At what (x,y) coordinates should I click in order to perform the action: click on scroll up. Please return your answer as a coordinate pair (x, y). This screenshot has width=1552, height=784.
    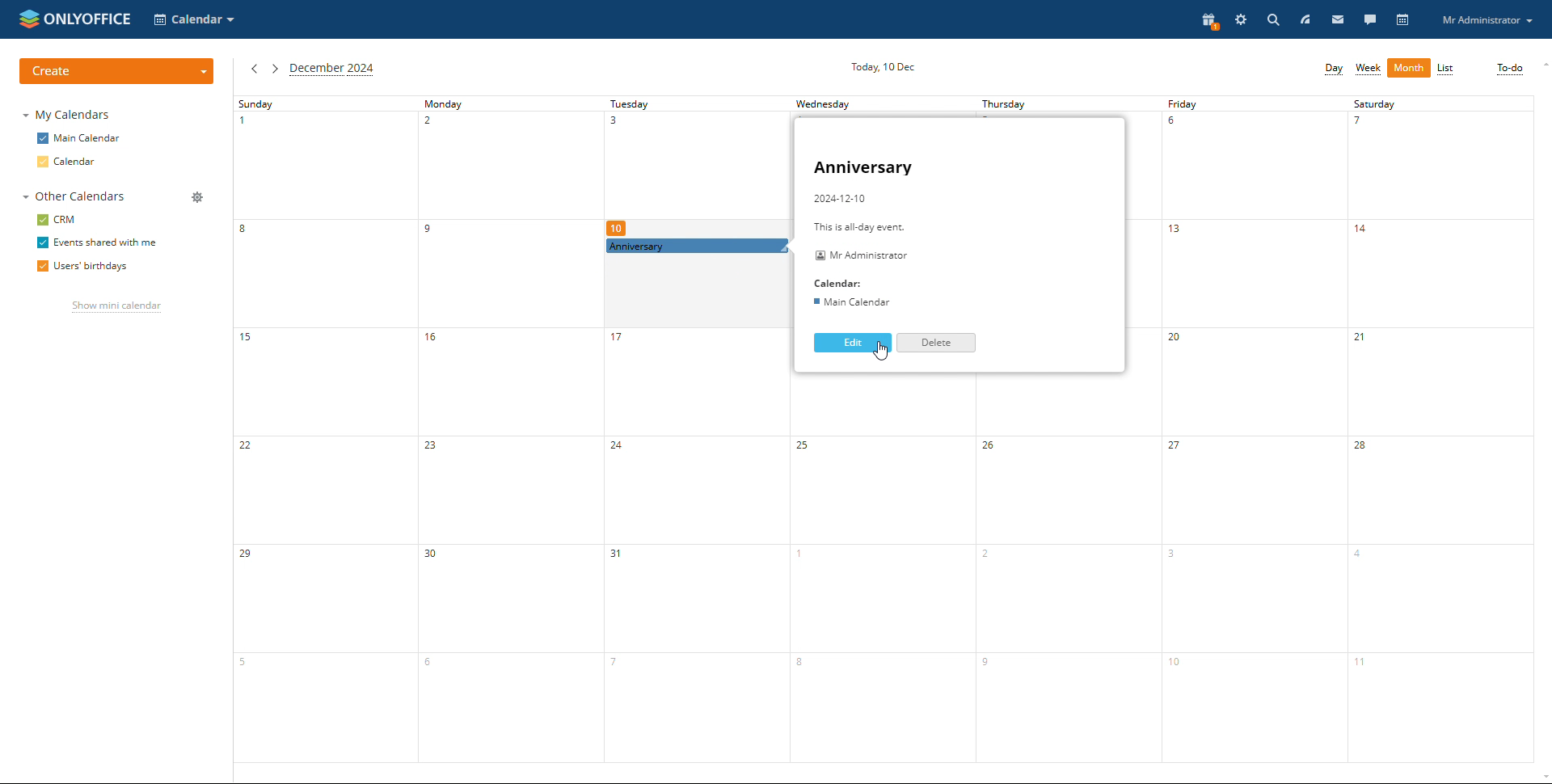
    Looking at the image, I should click on (1542, 65).